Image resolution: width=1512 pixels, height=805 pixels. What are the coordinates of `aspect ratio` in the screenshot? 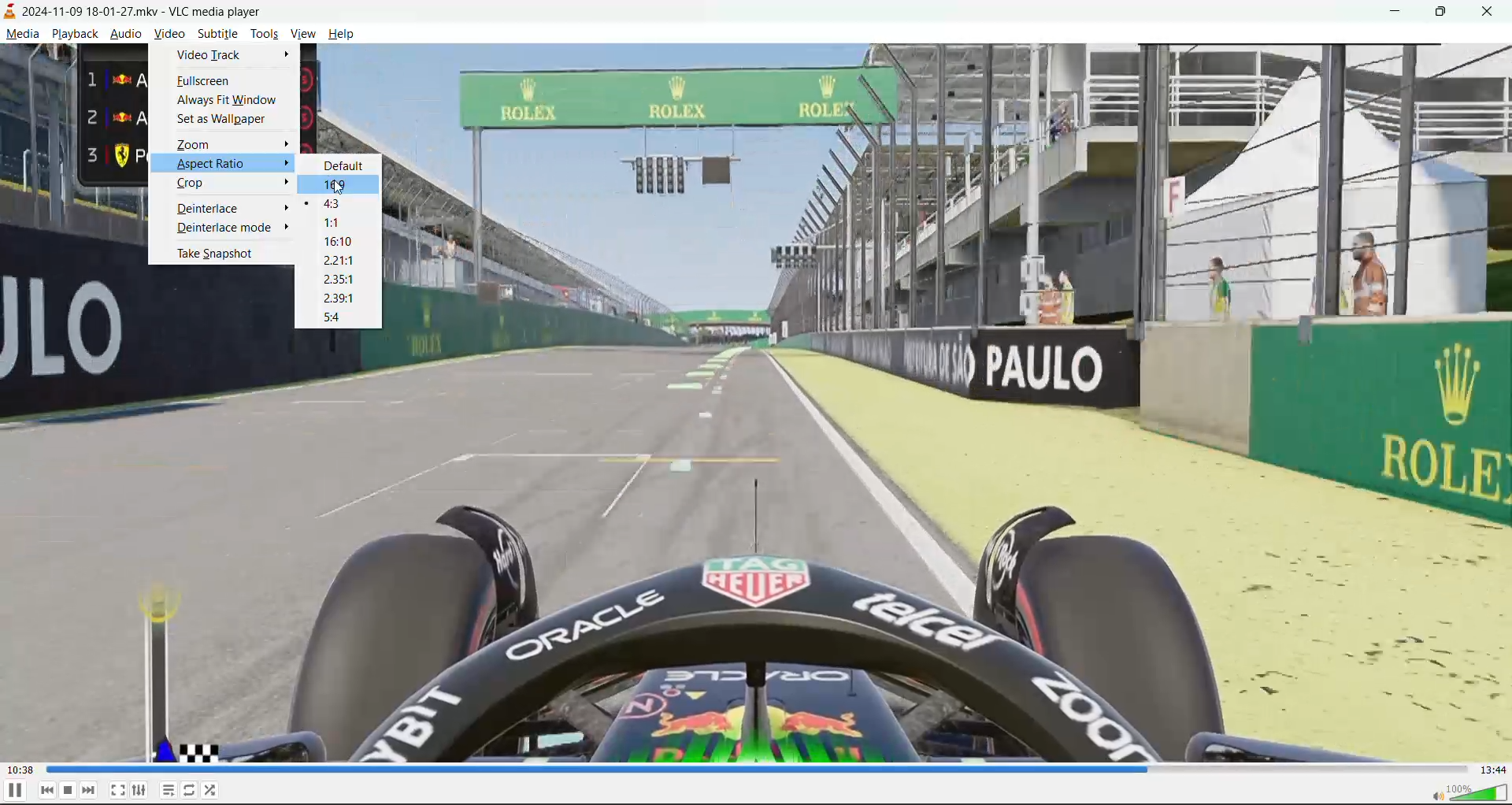 It's located at (216, 166).